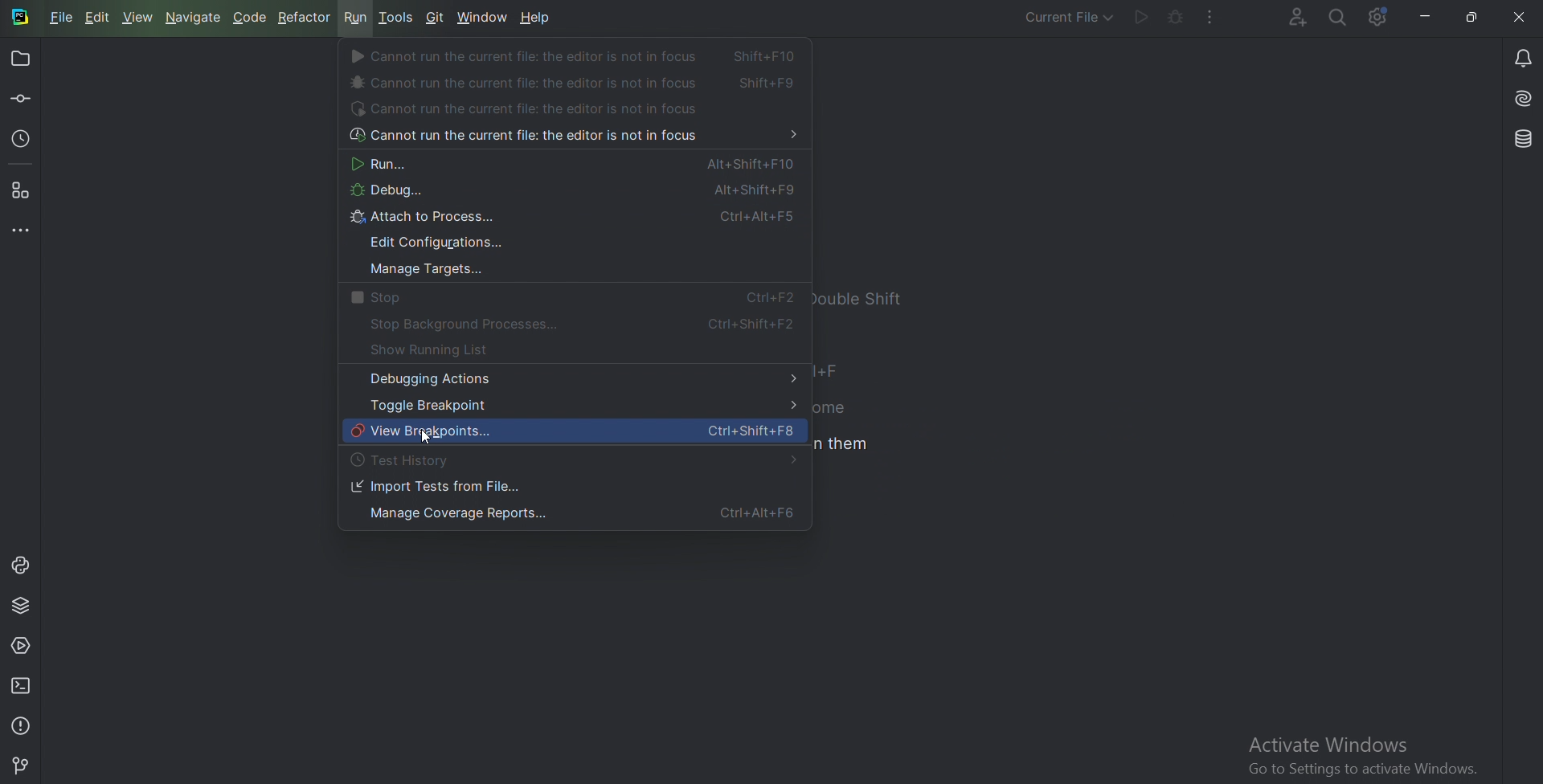 The width and height of the screenshot is (1543, 784). I want to click on Navigate, so click(195, 18).